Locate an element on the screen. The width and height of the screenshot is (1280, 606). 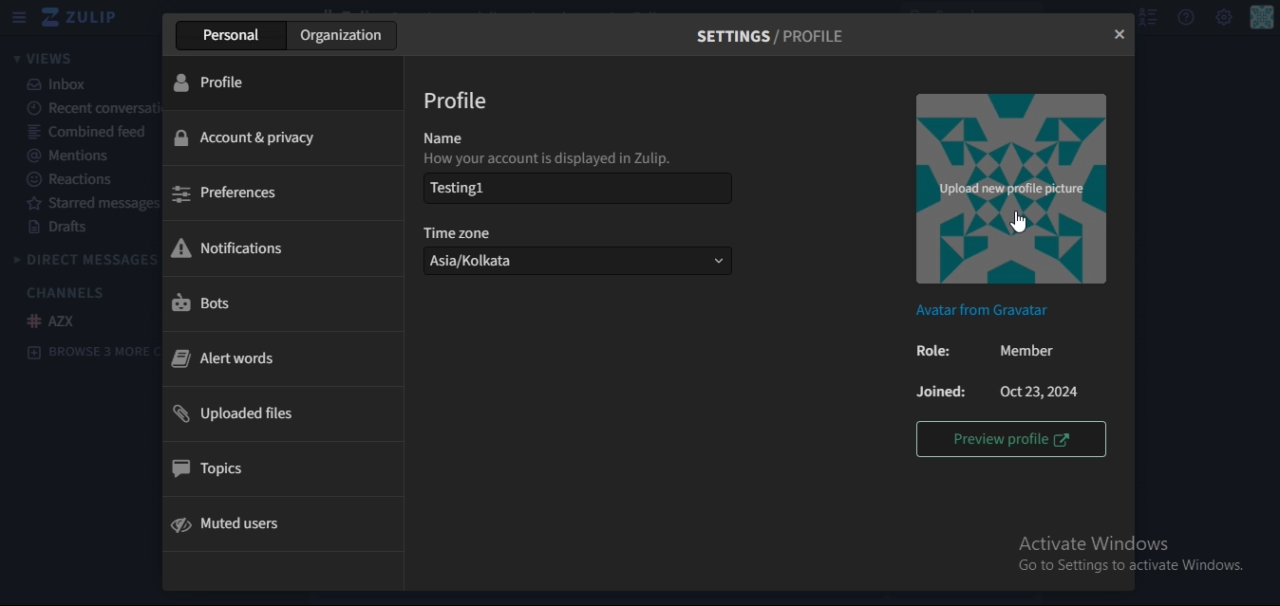
inbox is located at coordinates (81, 85).